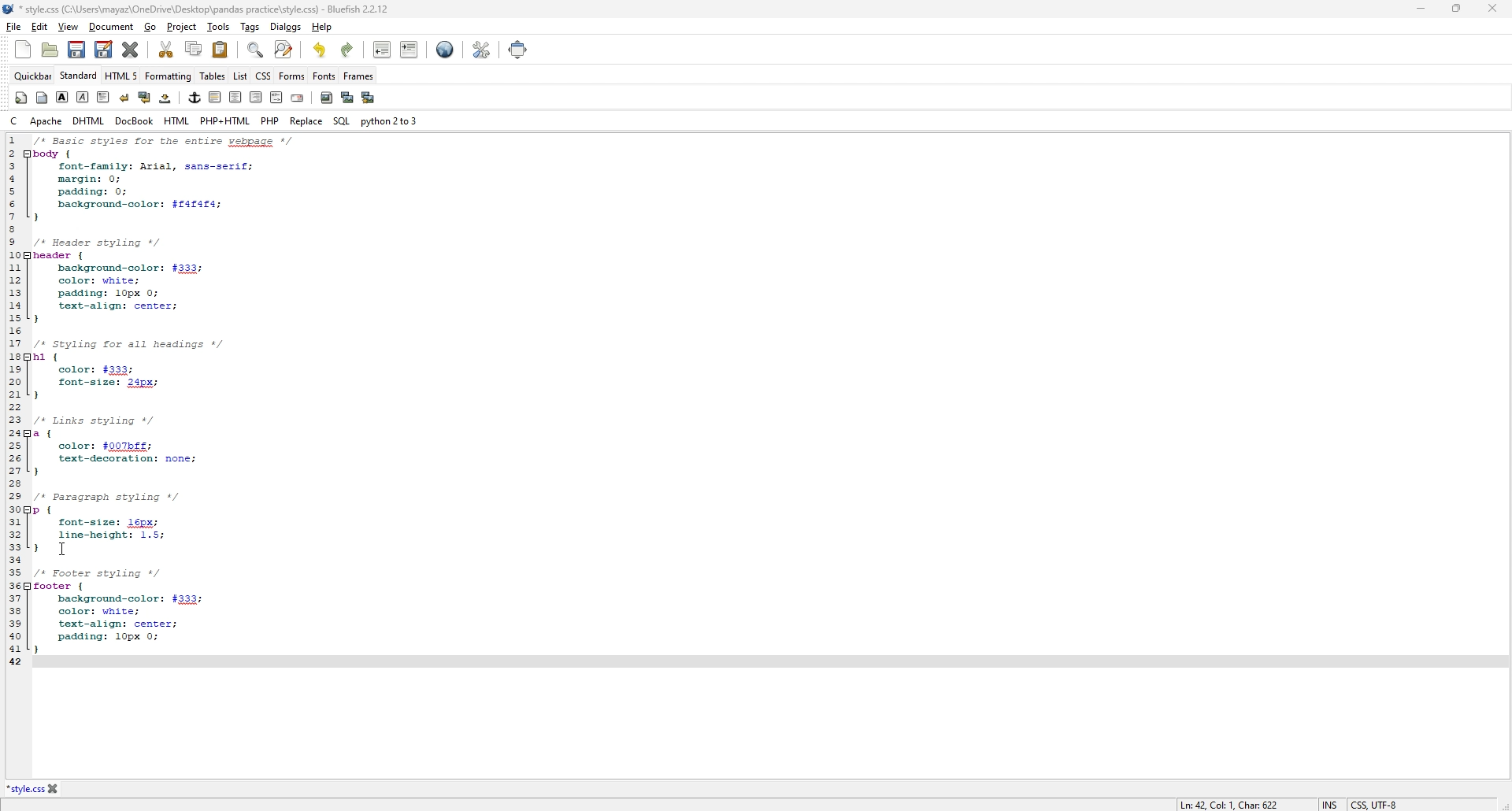  What do you see at coordinates (42, 98) in the screenshot?
I see `body` at bounding box center [42, 98].